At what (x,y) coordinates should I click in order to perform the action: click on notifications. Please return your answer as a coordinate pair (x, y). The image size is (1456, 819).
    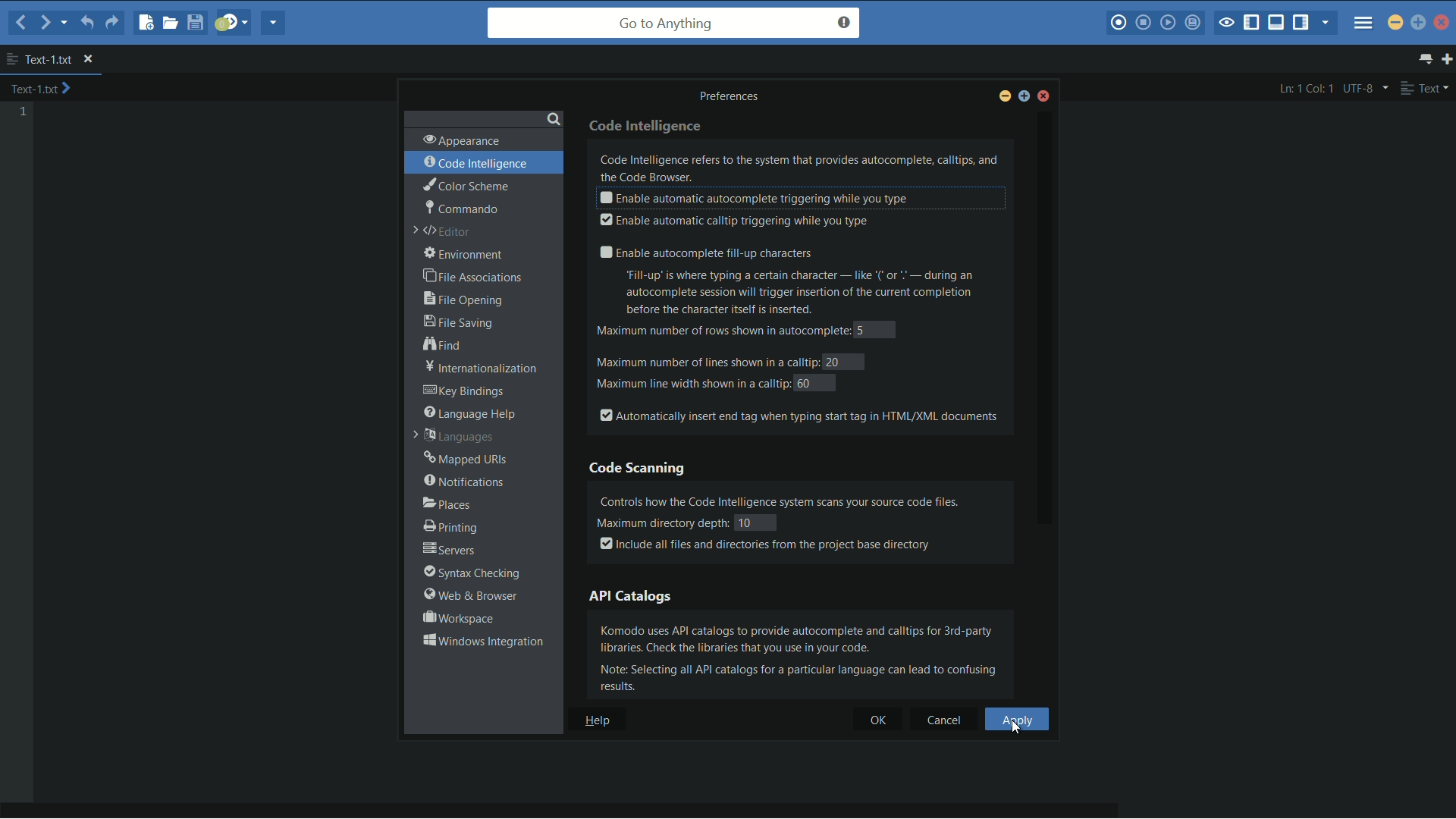
    Looking at the image, I should click on (463, 482).